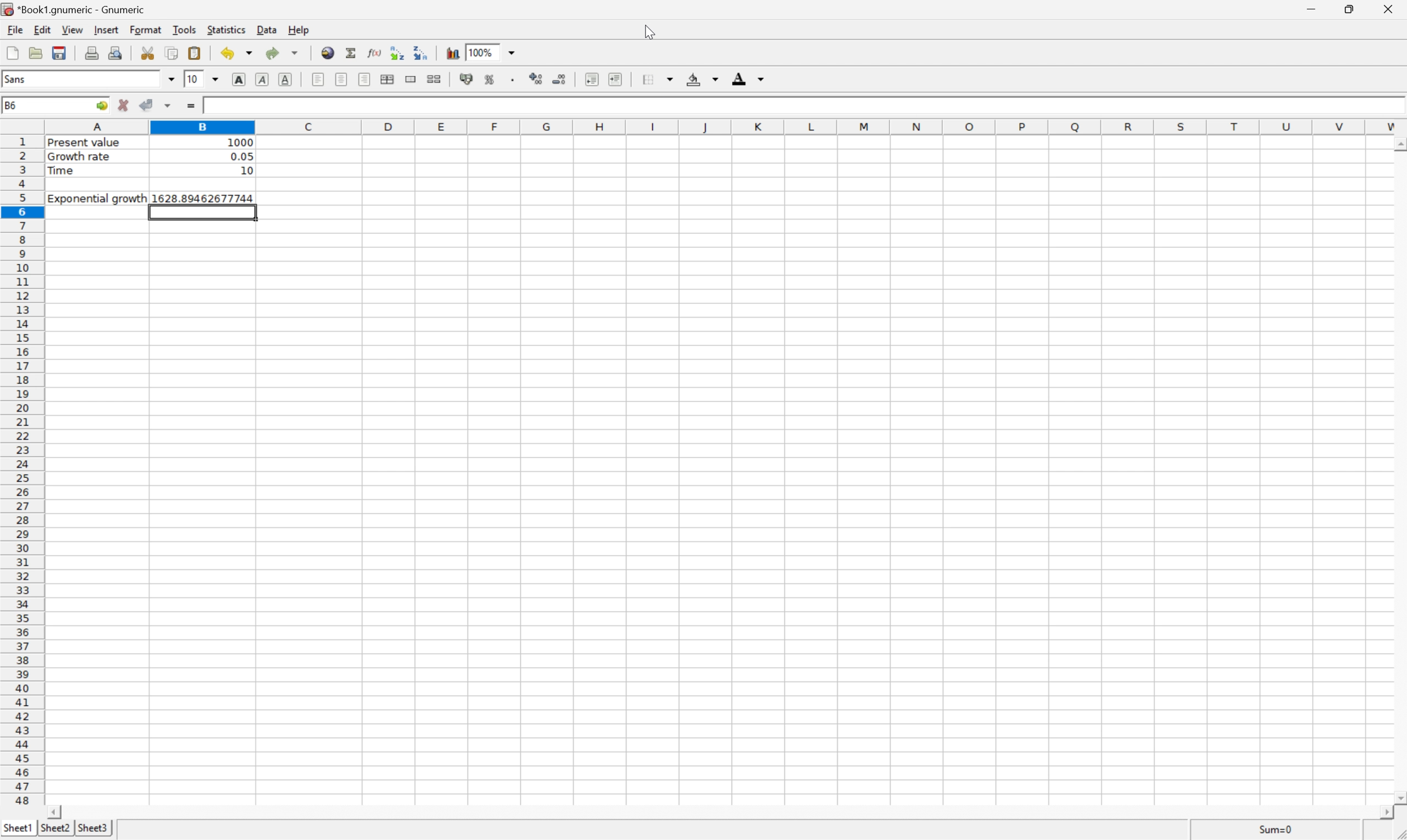 Image resolution: width=1407 pixels, height=840 pixels. I want to click on Center horizontally across selection, so click(387, 79).